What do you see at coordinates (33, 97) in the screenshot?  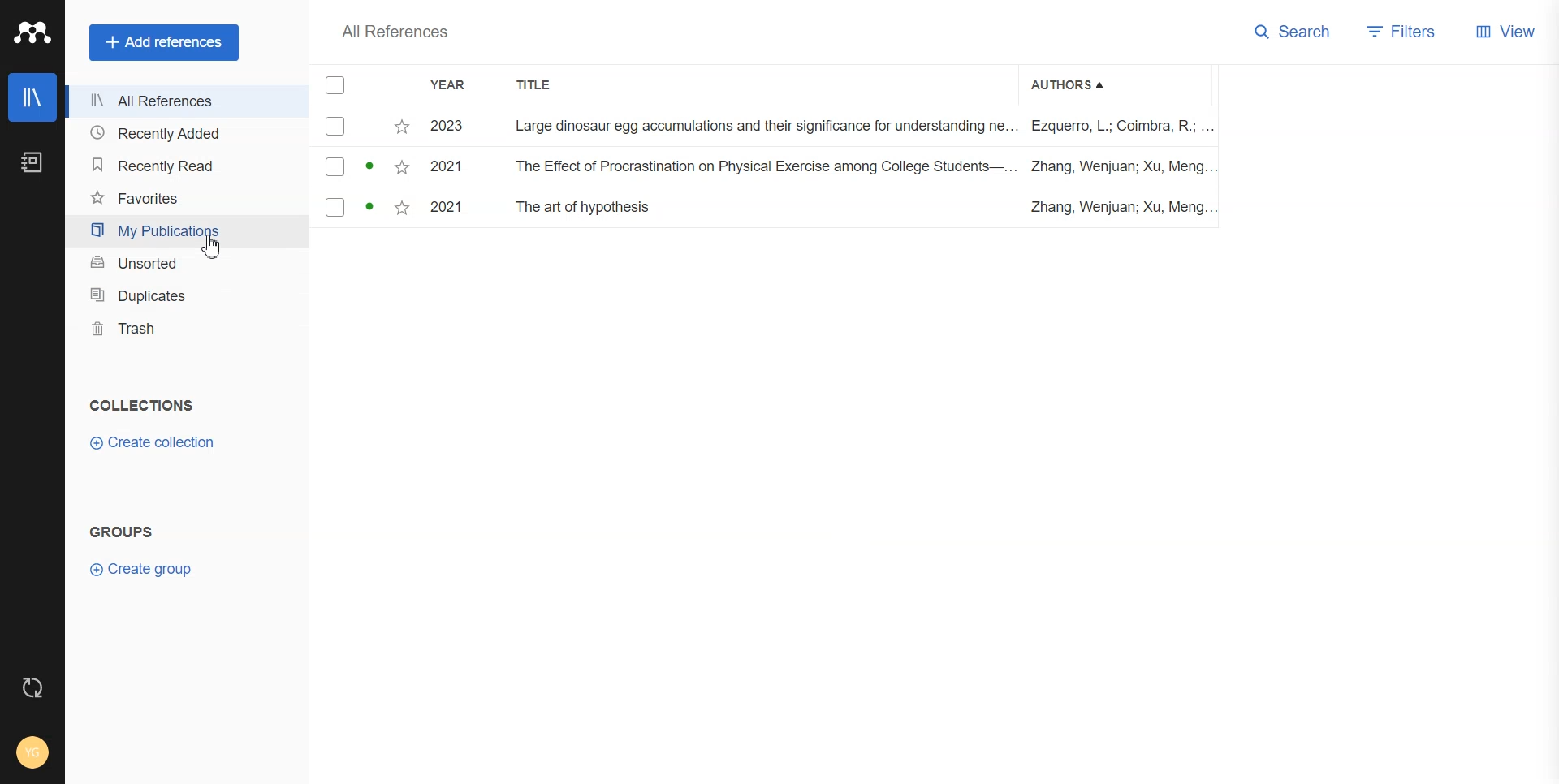 I see `Library` at bounding box center [33, 97].